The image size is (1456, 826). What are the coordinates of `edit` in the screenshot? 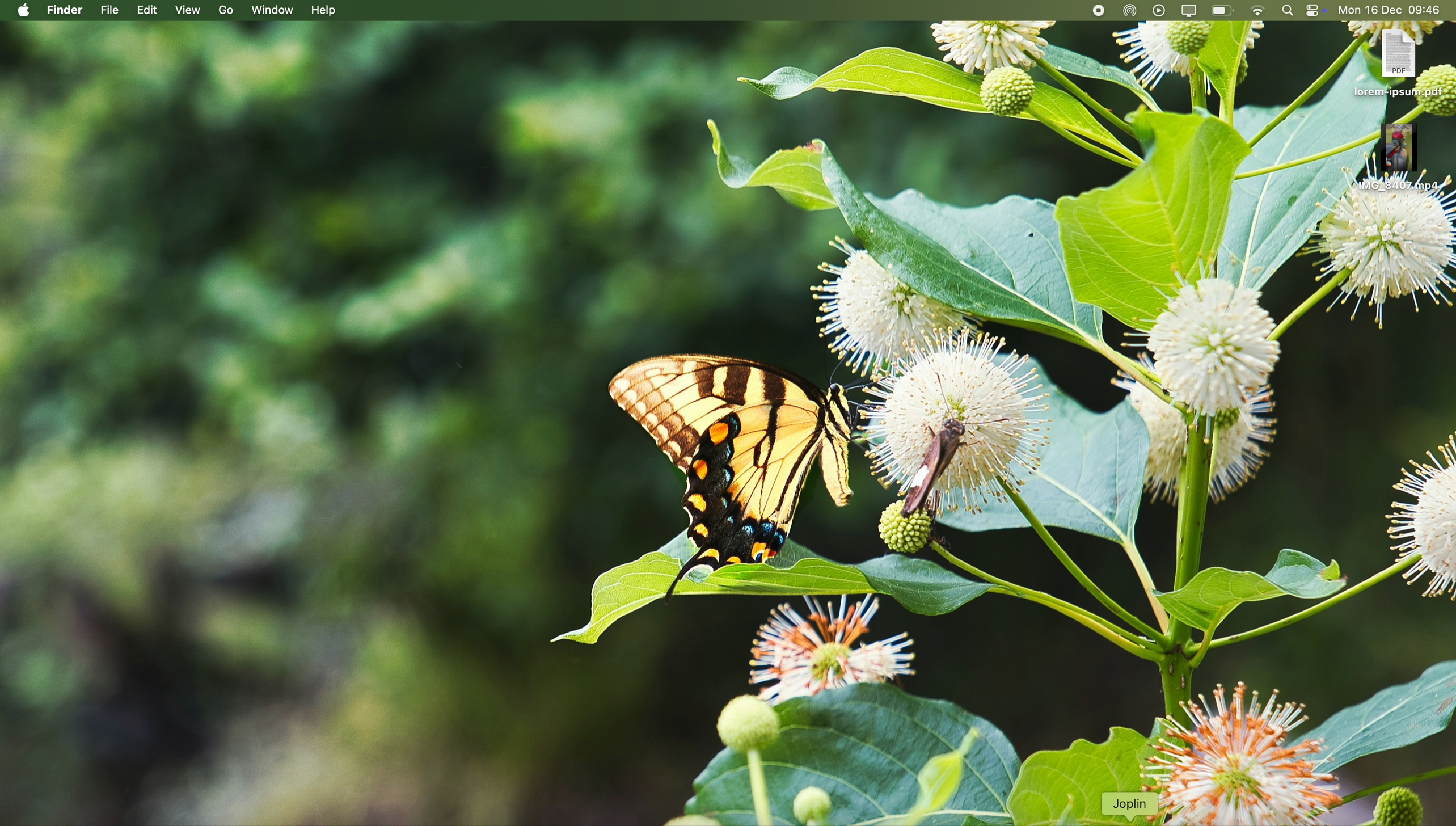 It's located at (147, 11).